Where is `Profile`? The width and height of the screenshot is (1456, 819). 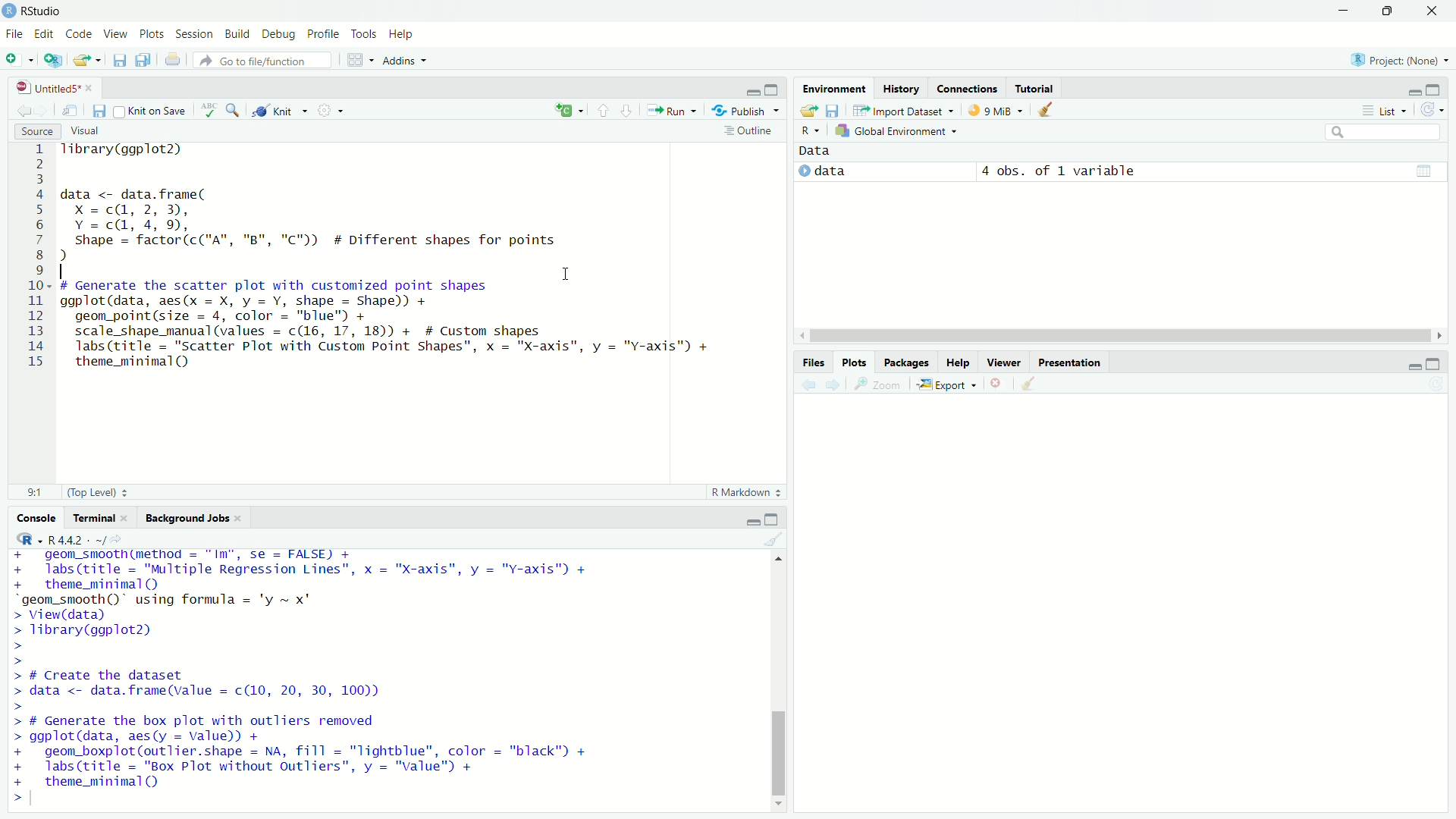 Profile is located at coordinates (322, 33).